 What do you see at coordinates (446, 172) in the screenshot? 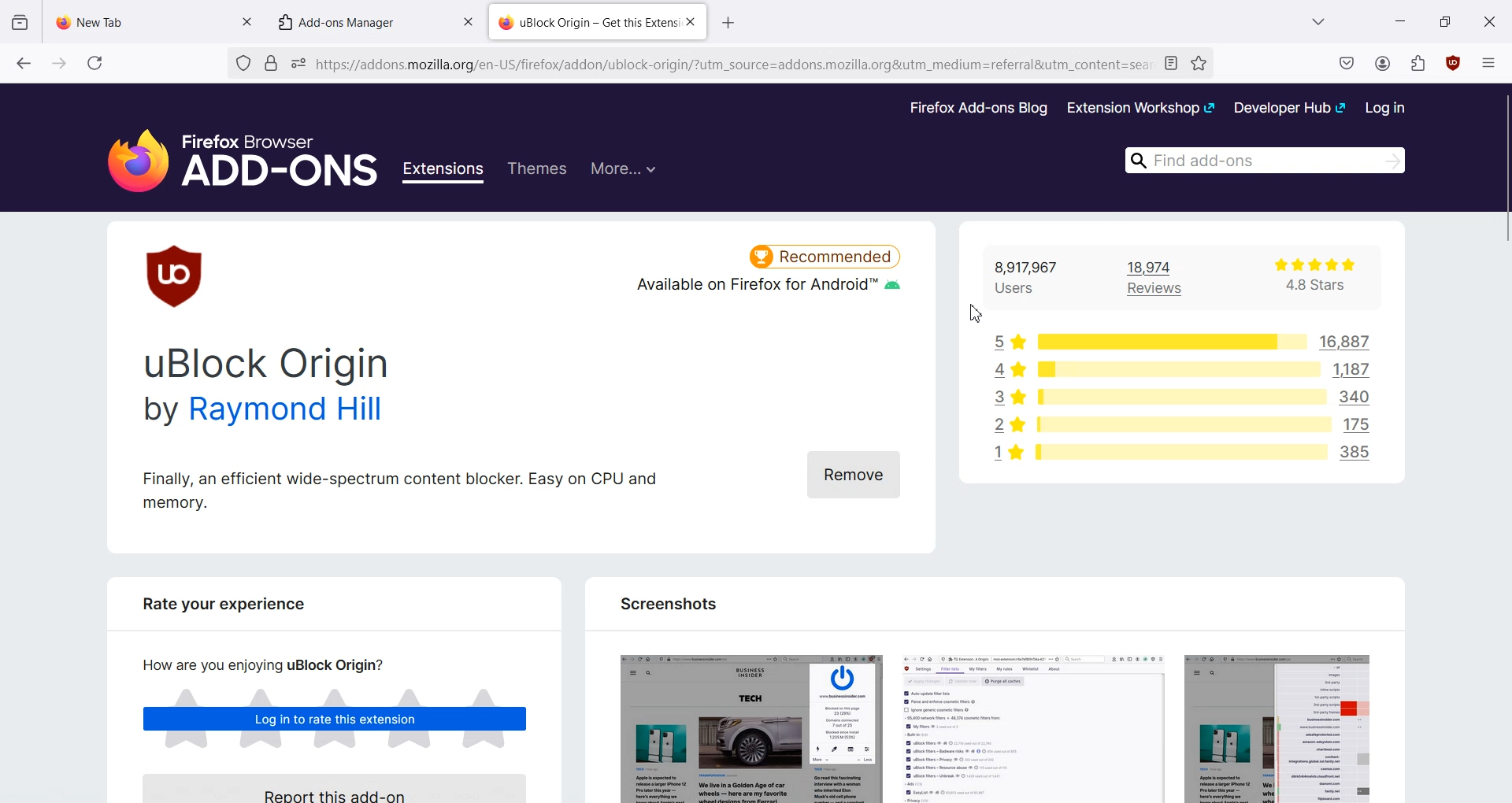
I see `Extensions ` at bounding box center [446, 172].